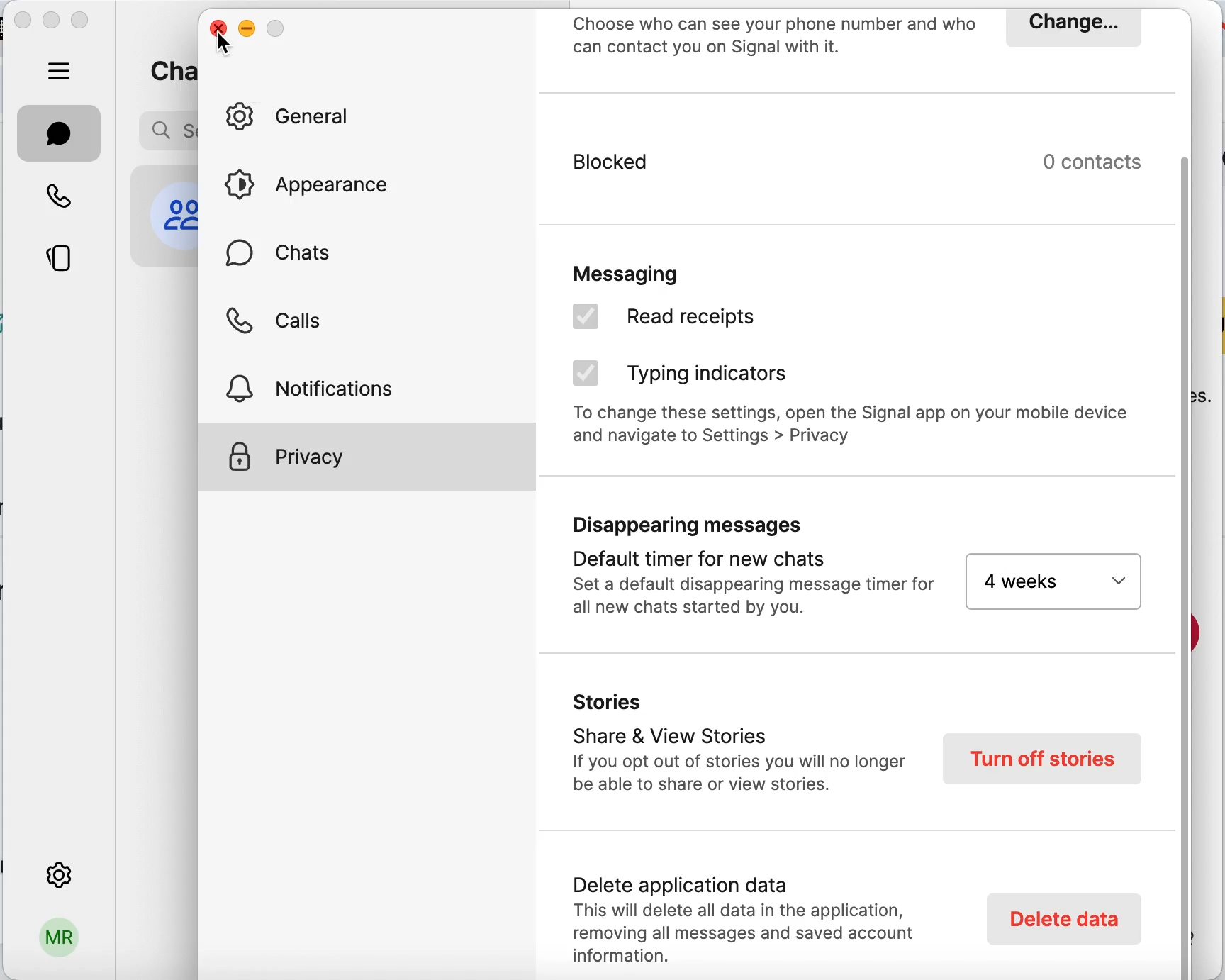  I want to click on how to change this settings, so click(856, 430).